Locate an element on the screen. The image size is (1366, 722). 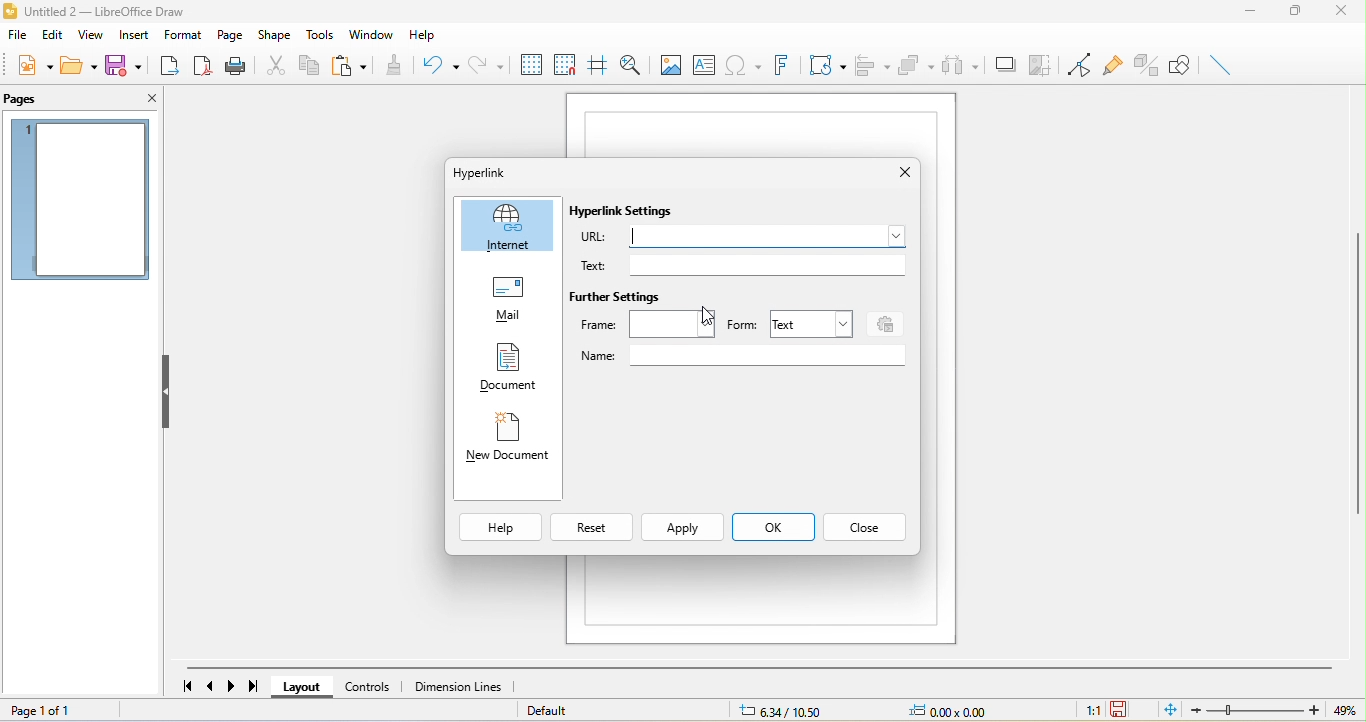
dimension line is located at coordinates (460, 688).